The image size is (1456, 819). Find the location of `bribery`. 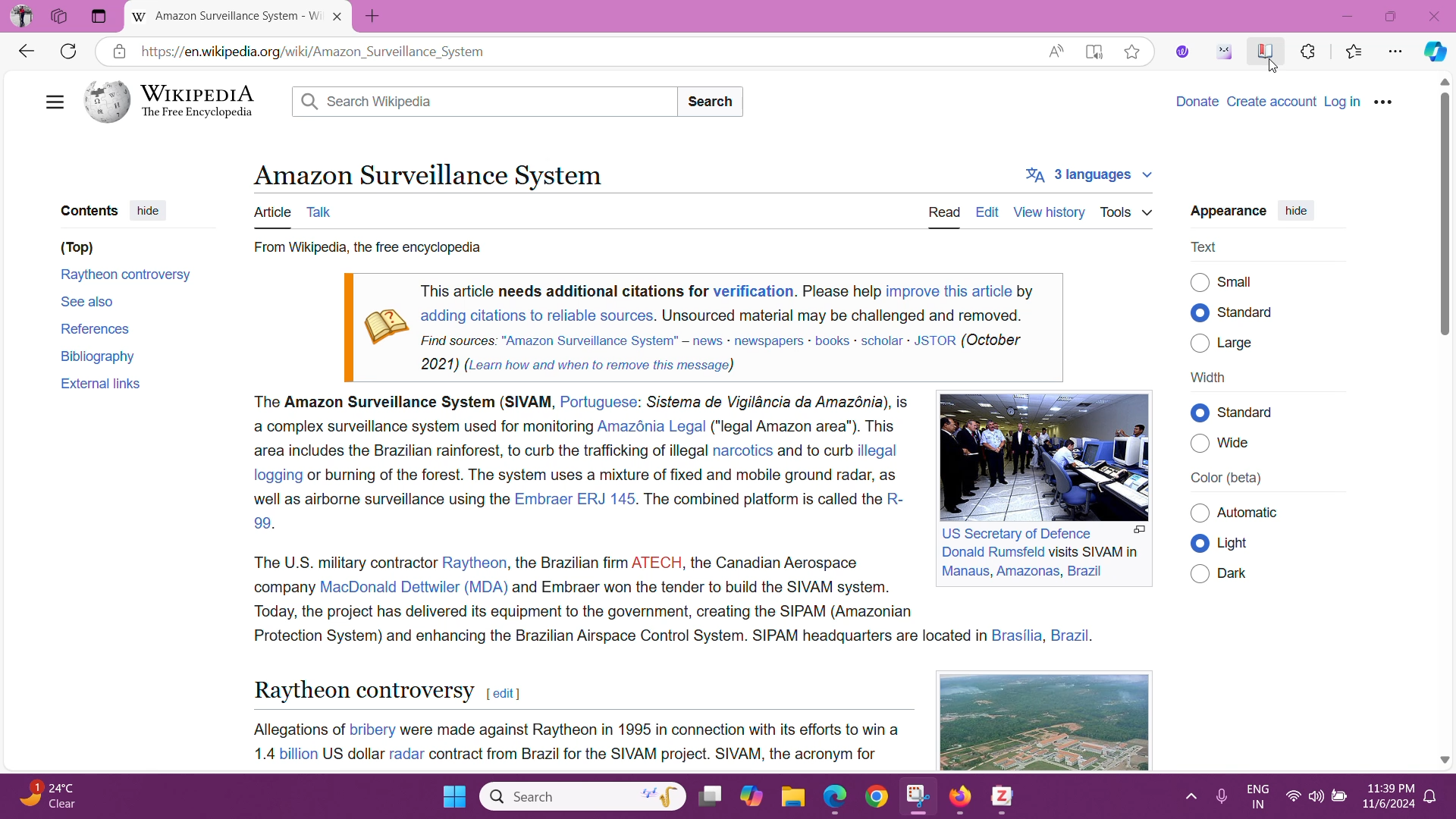

bribery is located at coordinates (373, 728).